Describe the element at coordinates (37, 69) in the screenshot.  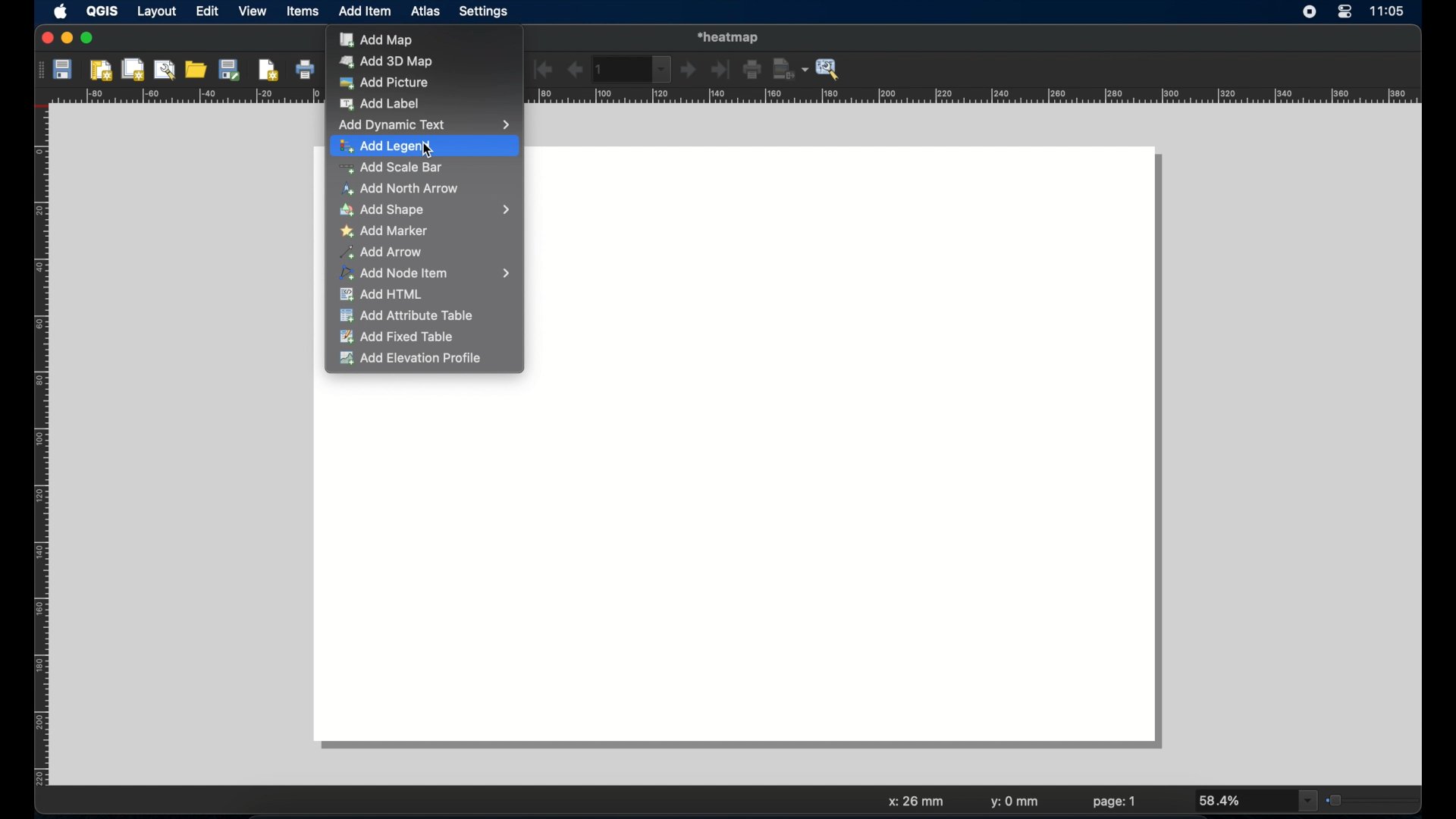
I see `drag hadle` at that location.